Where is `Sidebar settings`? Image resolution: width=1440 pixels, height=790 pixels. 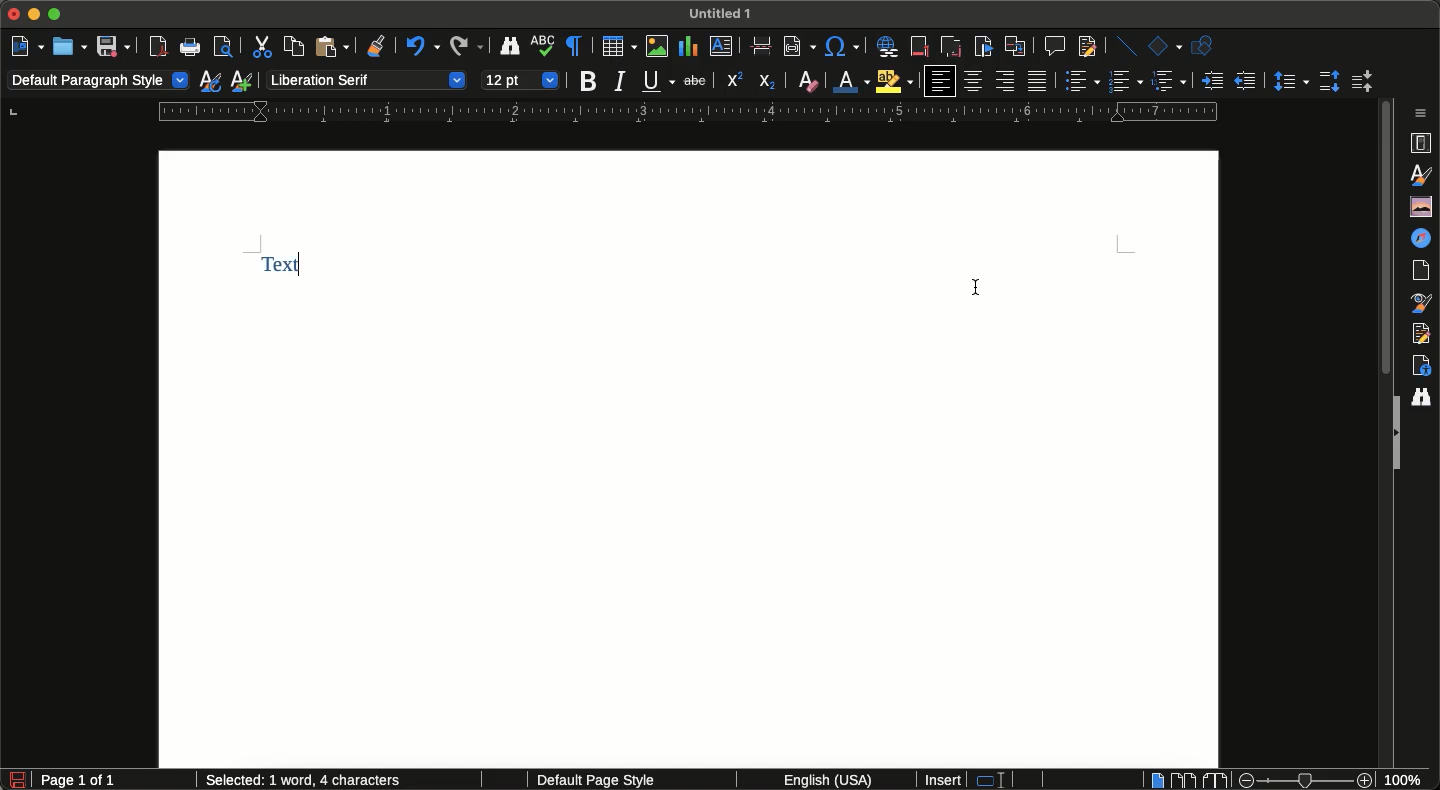
Sidebar settings is located at coordinates (1425, 112).